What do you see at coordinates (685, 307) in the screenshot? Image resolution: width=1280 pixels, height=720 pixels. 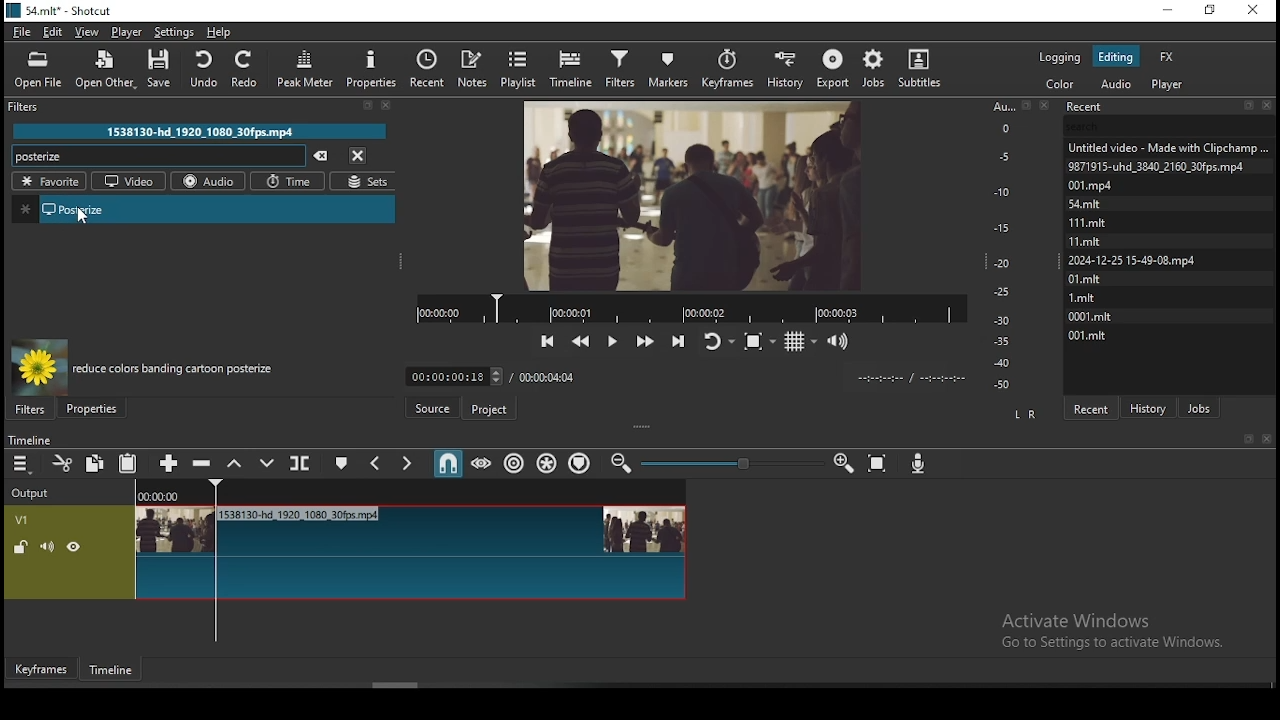 I see `video progress bar` at bounding box center [685, 307].